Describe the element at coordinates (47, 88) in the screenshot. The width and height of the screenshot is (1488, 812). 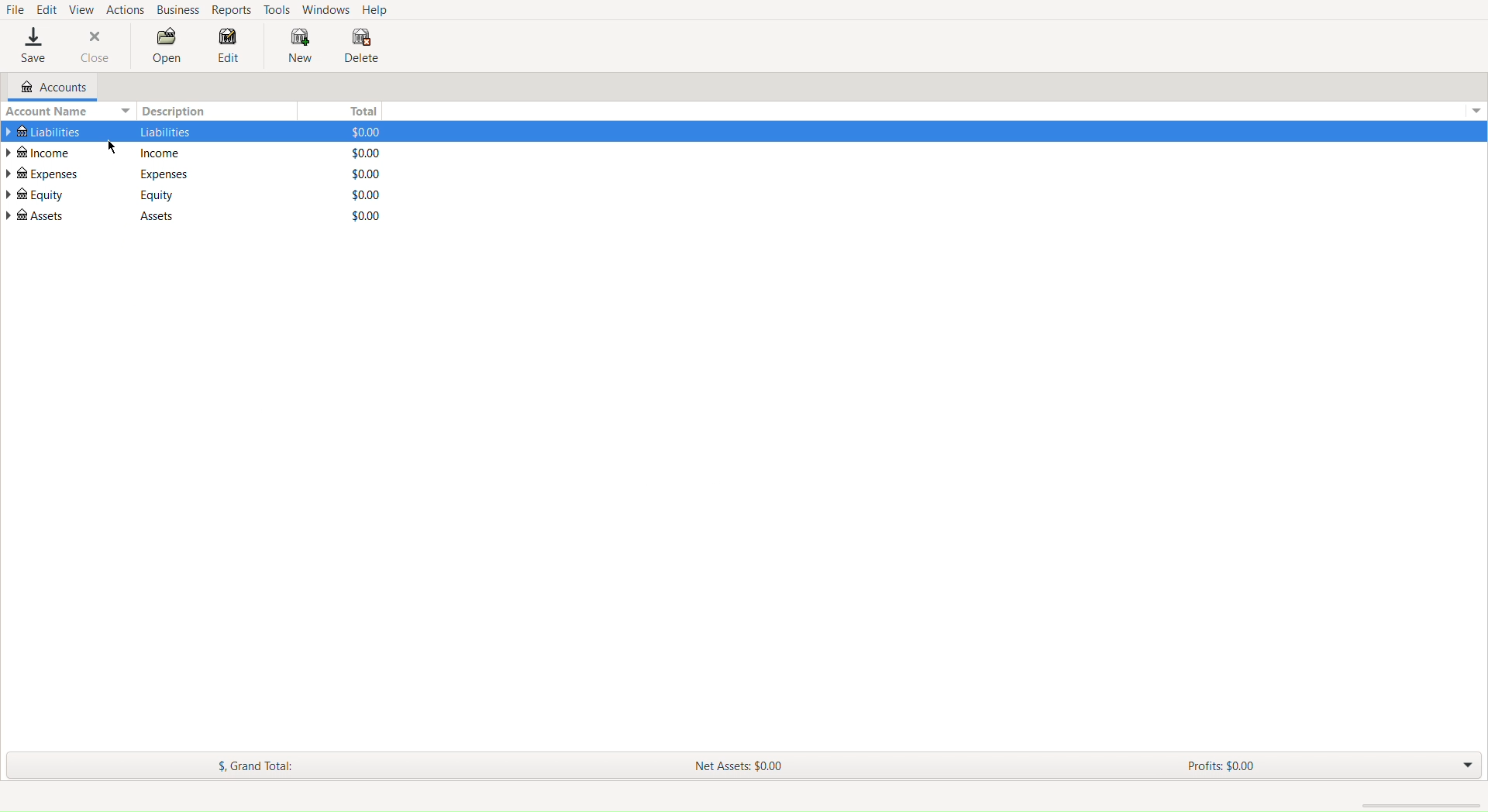
I see `Accounts` at that location.